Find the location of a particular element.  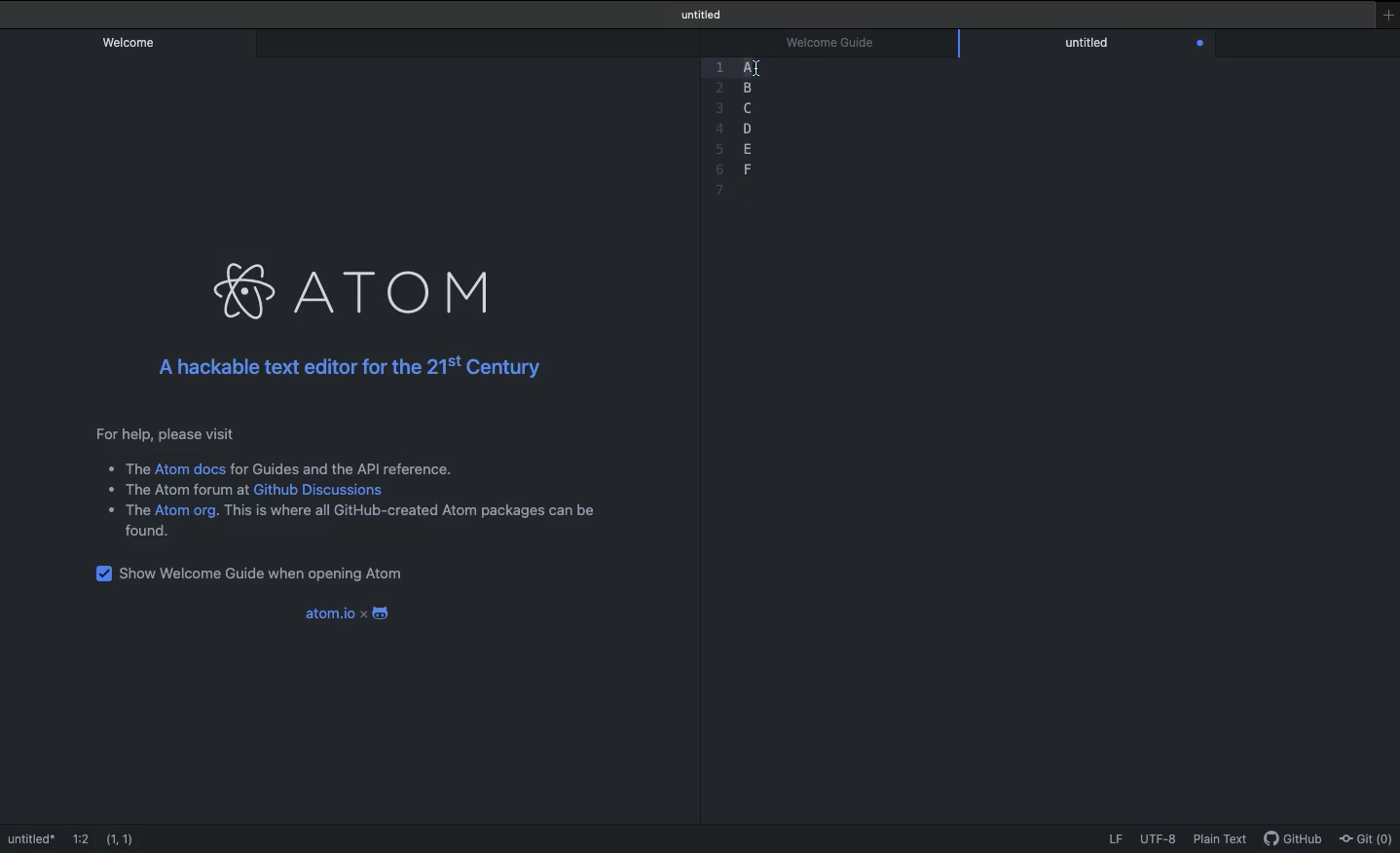

d is located at coordinates (751, 129).